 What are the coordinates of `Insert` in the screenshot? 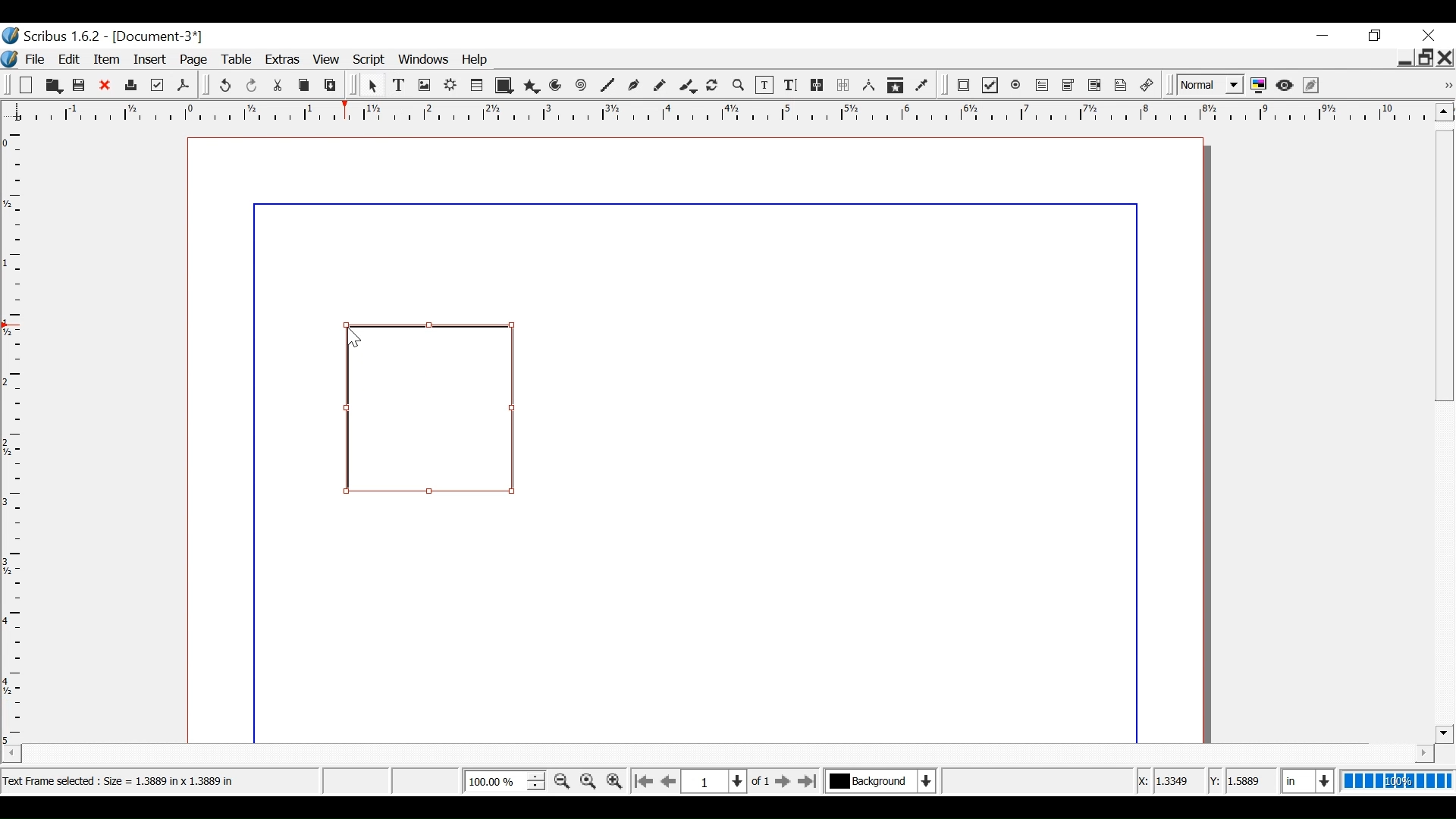 It's located at (152, 58).